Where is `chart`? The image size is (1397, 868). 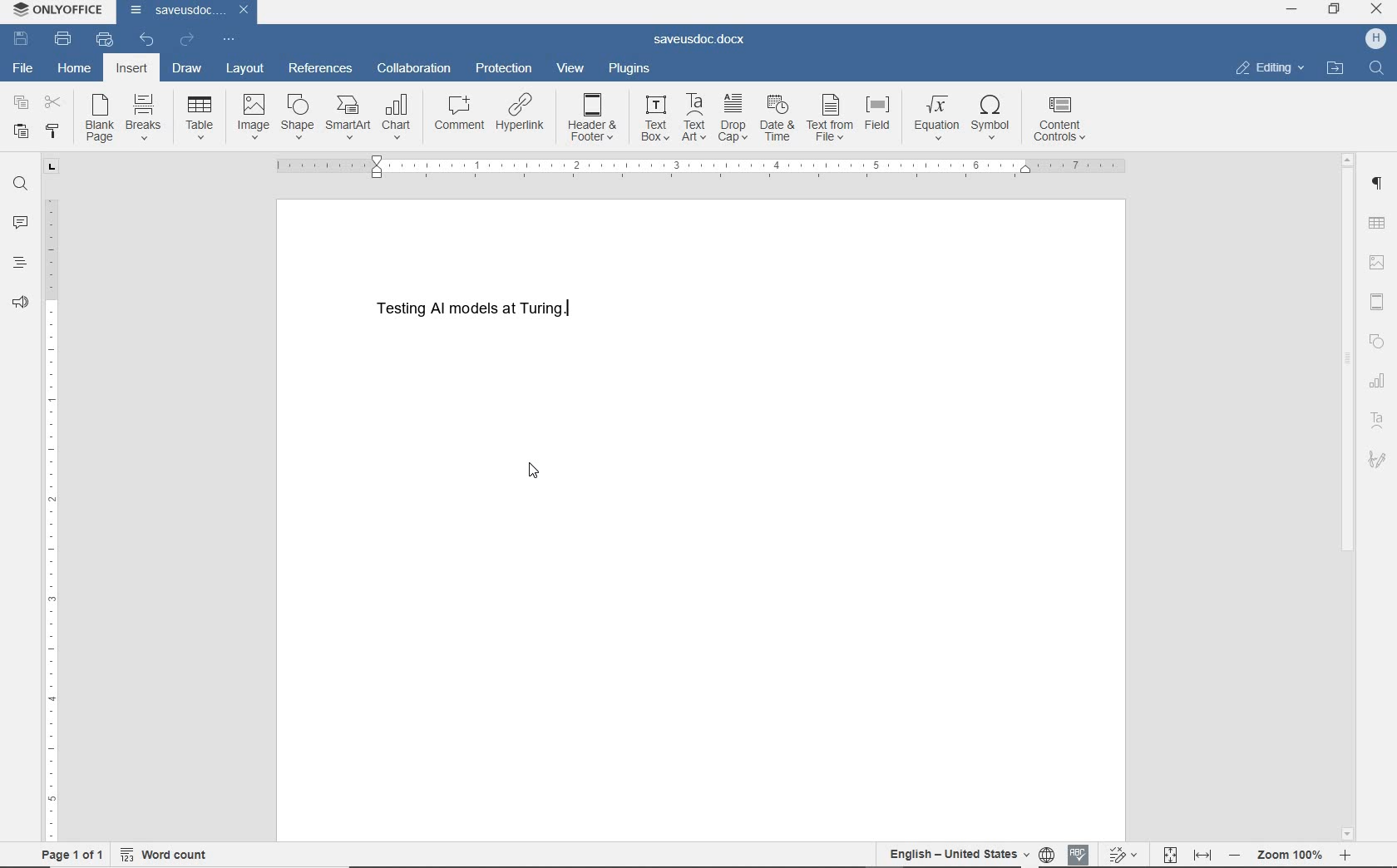
chart is located at coordinates (1379, 382).